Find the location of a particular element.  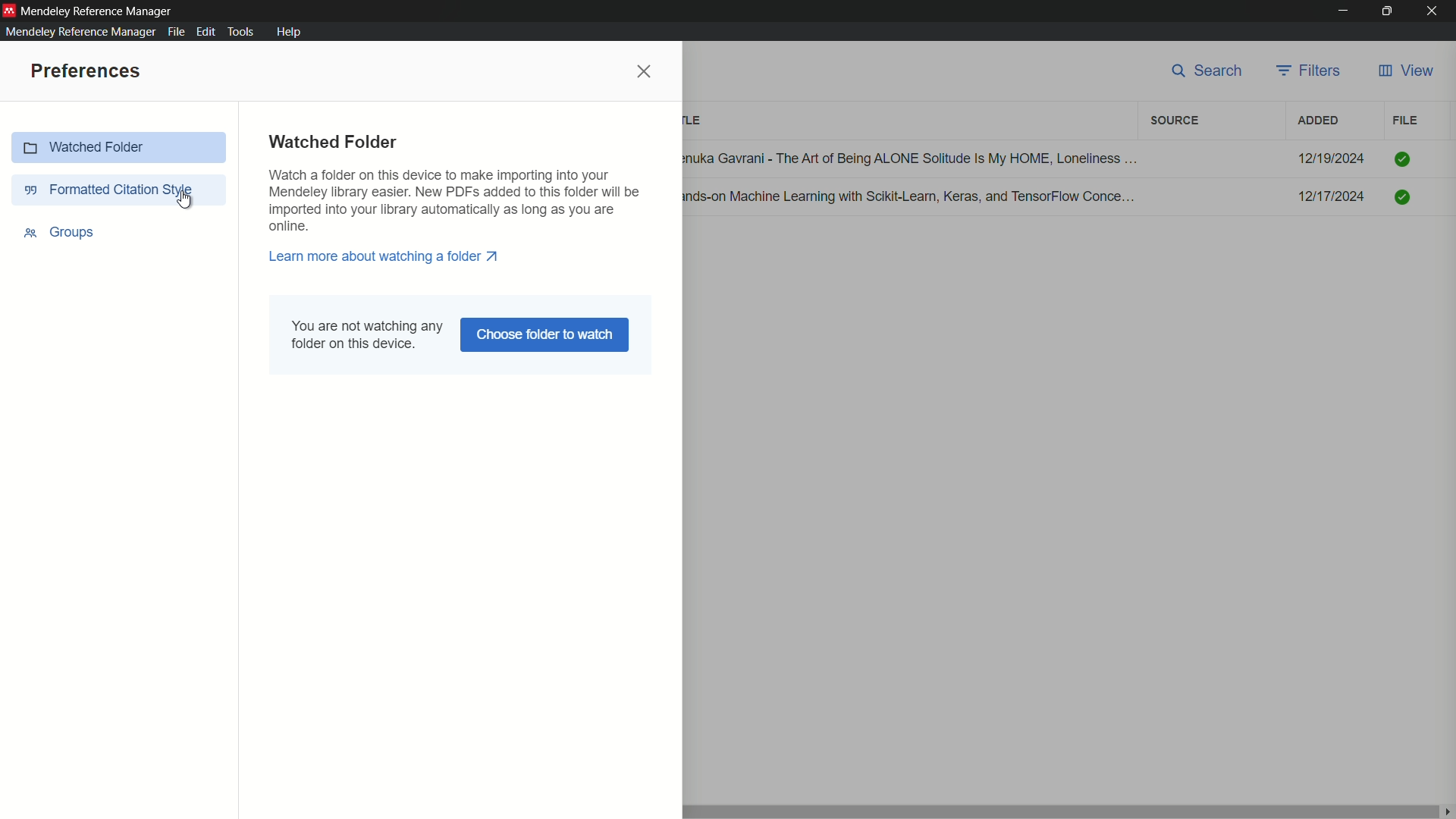

added is located at coordinates (1319, 121).